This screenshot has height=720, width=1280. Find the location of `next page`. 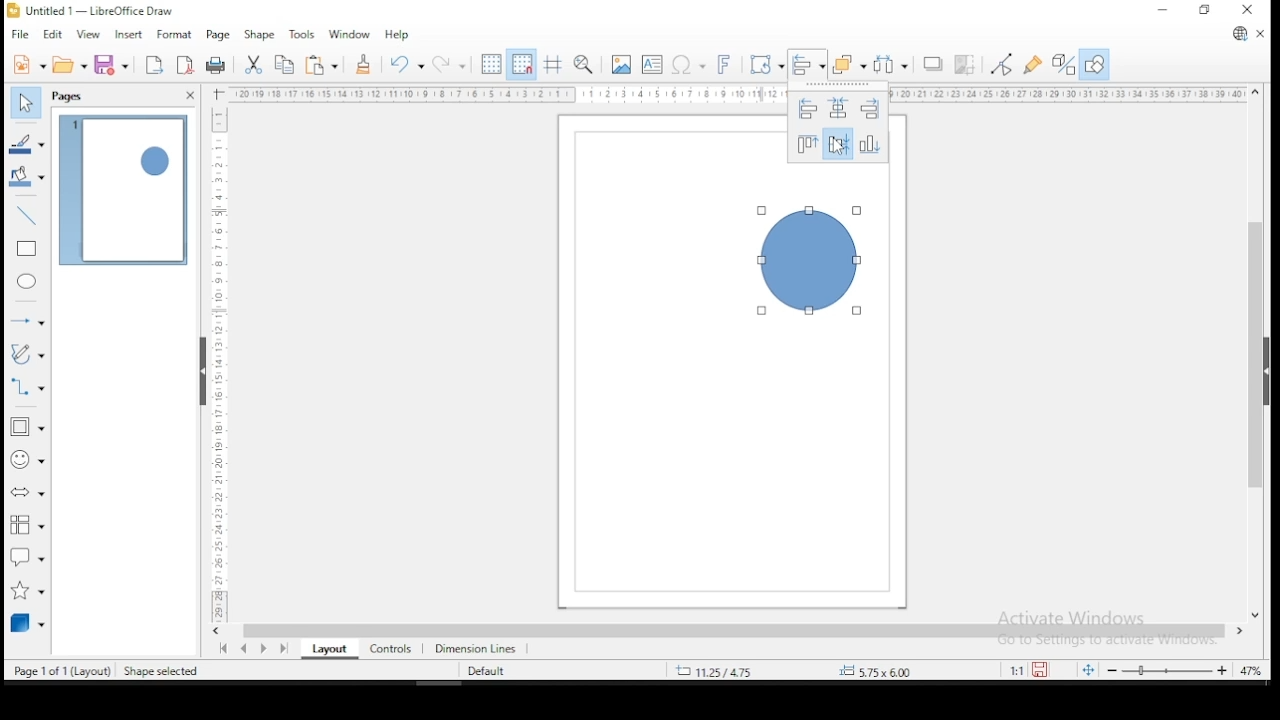

next page is located at coordinates (268, 648).